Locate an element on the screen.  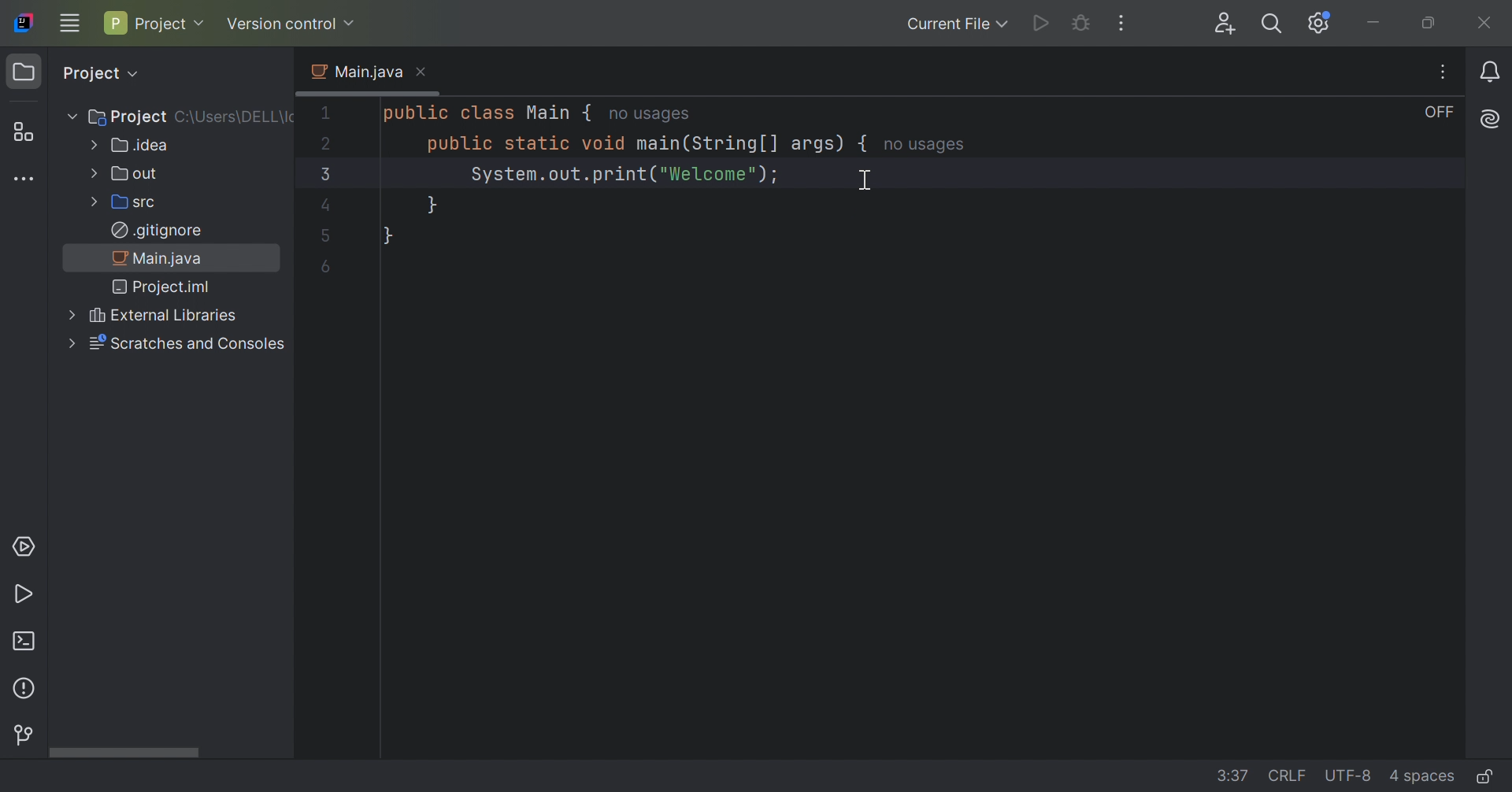
Structure is located at coordinates (20, 132).